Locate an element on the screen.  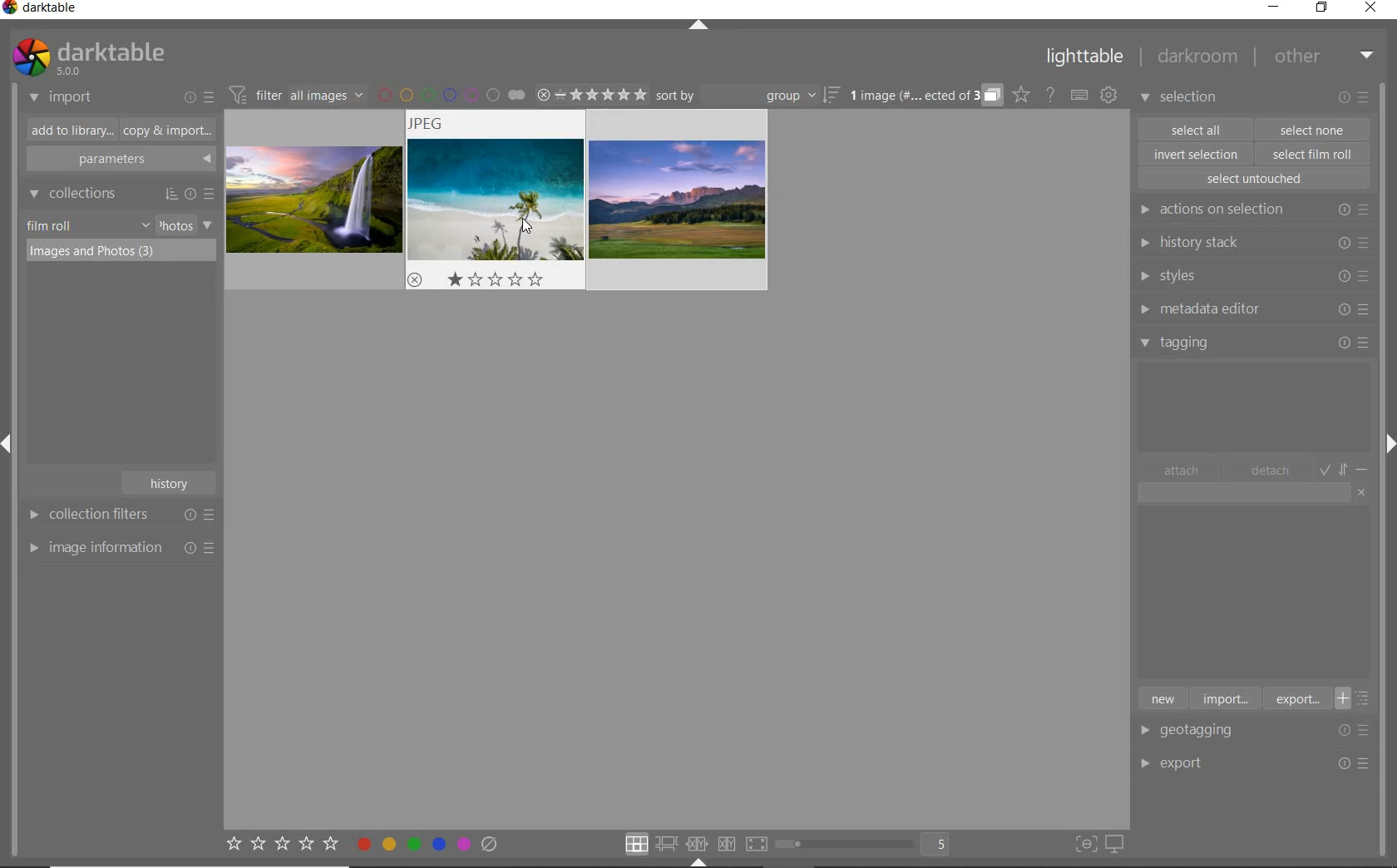
expand grouped images is located at coordinates (926, 96).